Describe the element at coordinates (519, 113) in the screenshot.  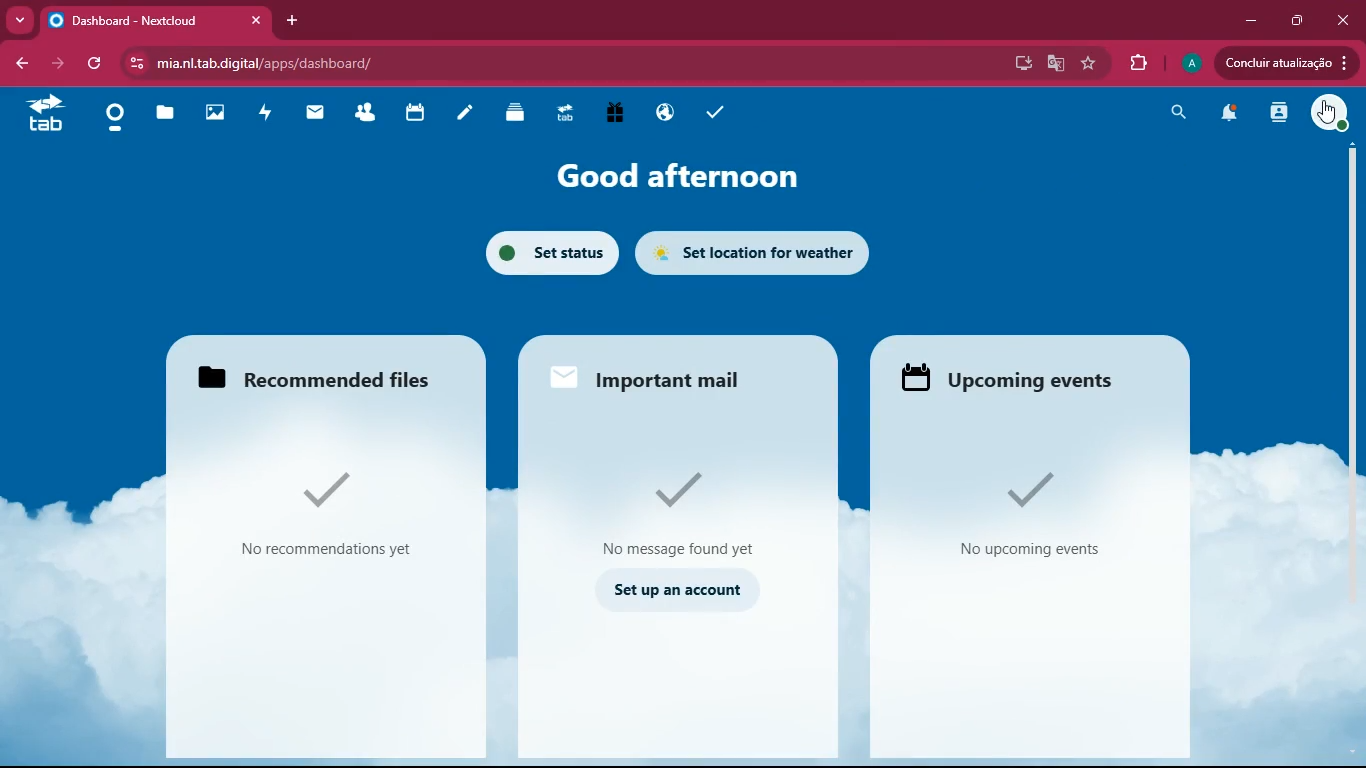
I see `layers` at that location.